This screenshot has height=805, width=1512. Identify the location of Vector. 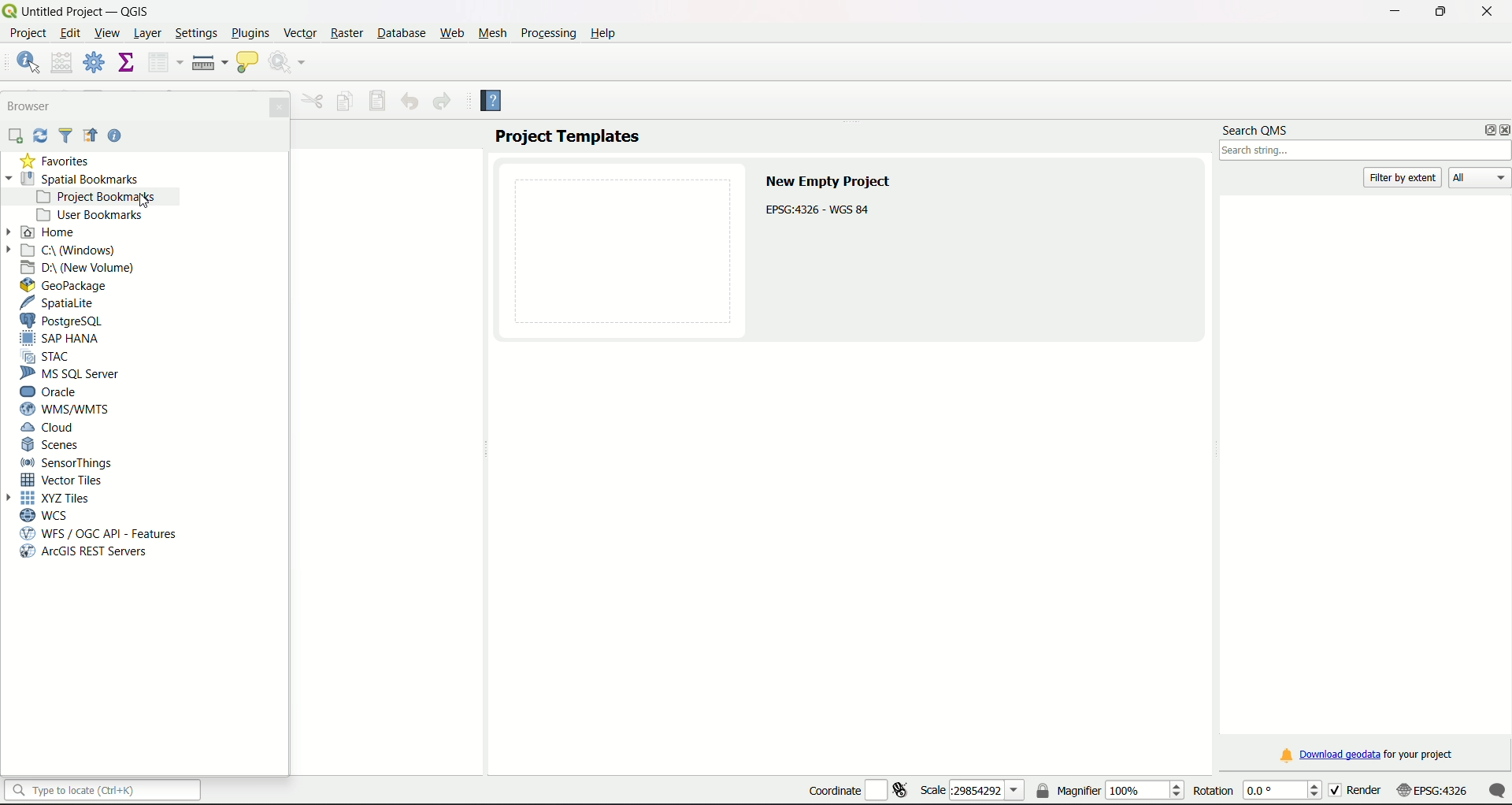
(301, 31).